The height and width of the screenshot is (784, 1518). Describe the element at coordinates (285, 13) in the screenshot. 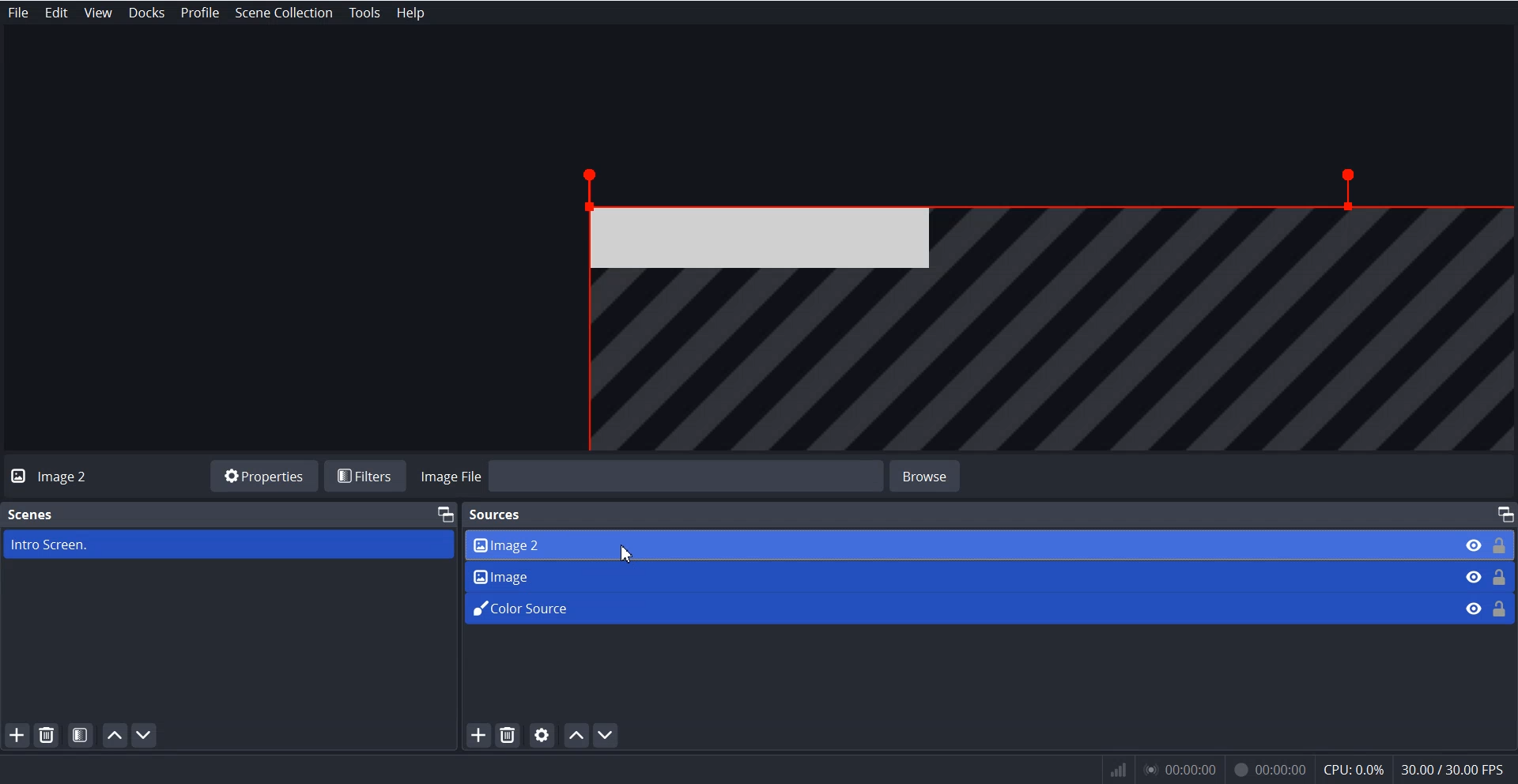

I see `Scene Collection` at that location.